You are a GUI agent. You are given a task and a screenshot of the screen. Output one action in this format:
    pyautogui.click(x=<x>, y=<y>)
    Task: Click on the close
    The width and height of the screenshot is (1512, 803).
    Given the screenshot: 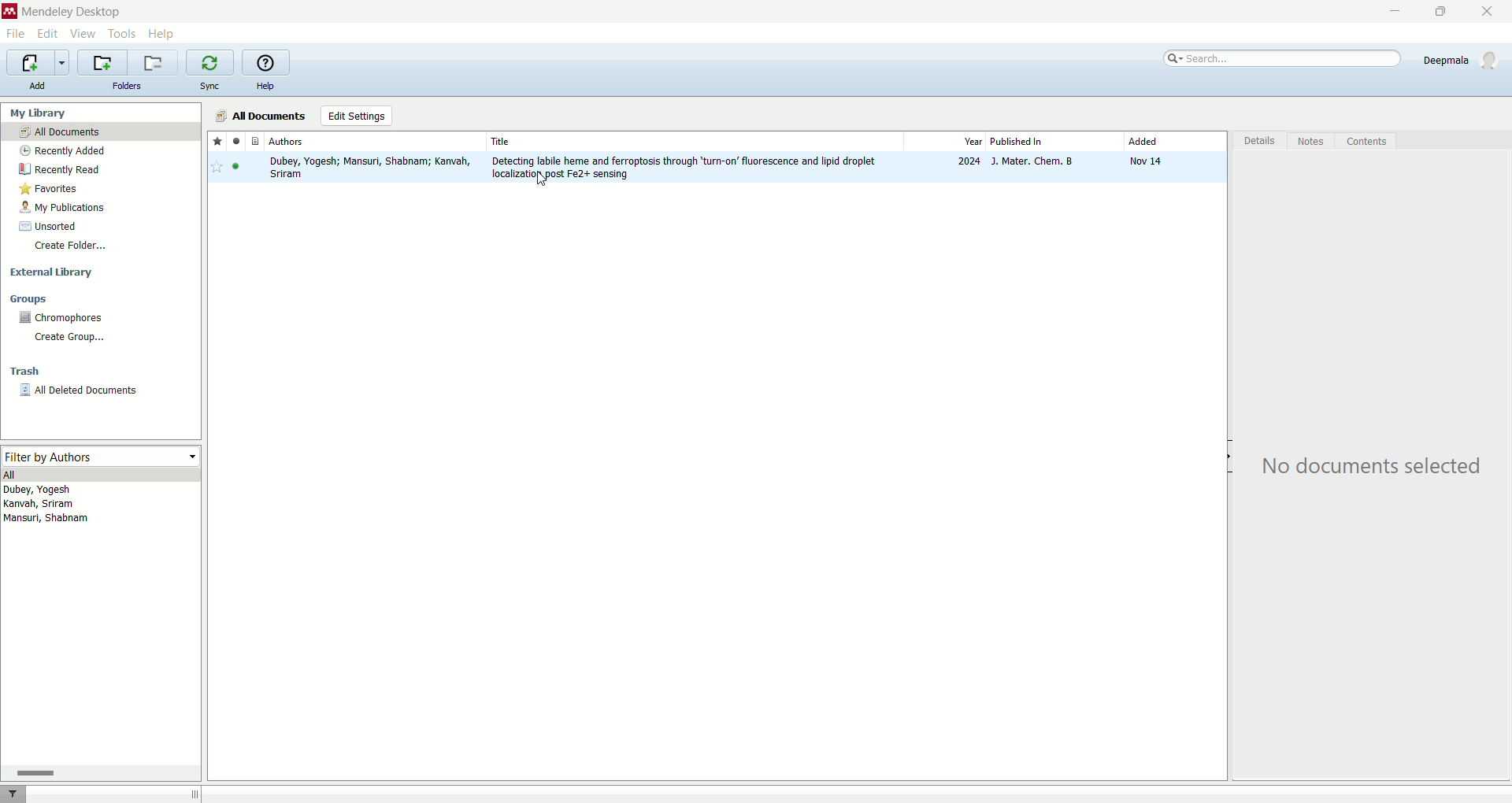 What is the action you would take?
    pyautogui.click(x=1491, y=11)
    